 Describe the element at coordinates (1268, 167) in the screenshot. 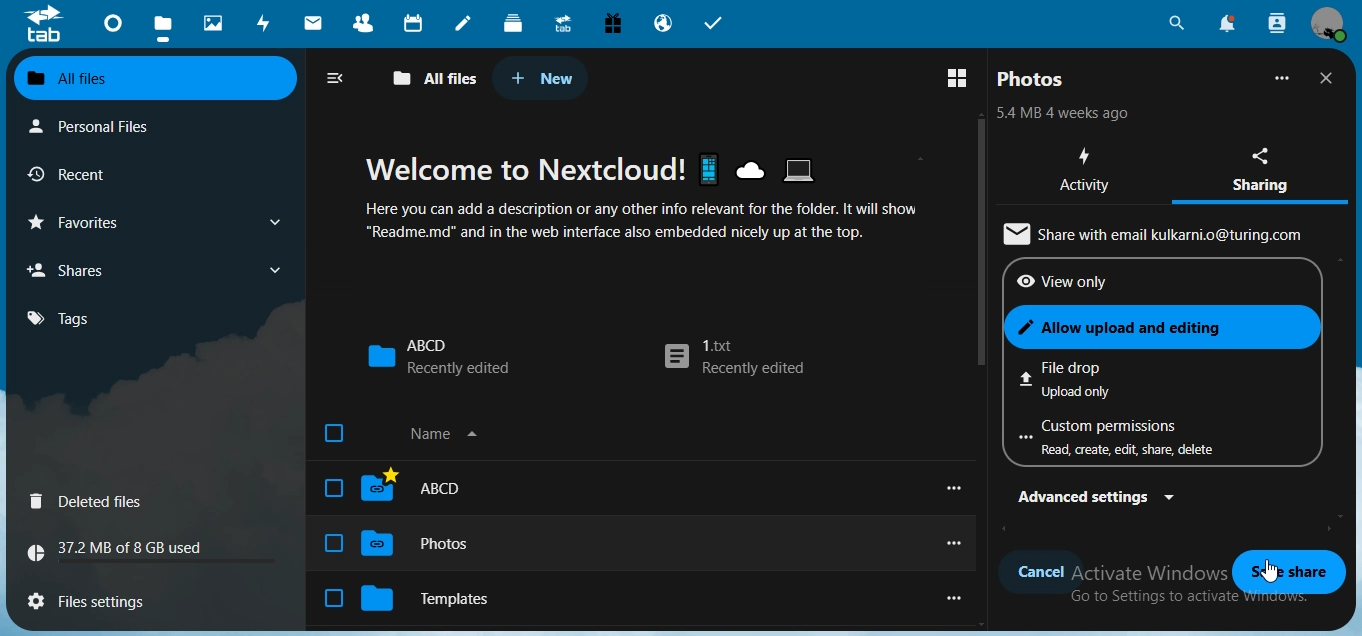

I see `sharing` at that location.